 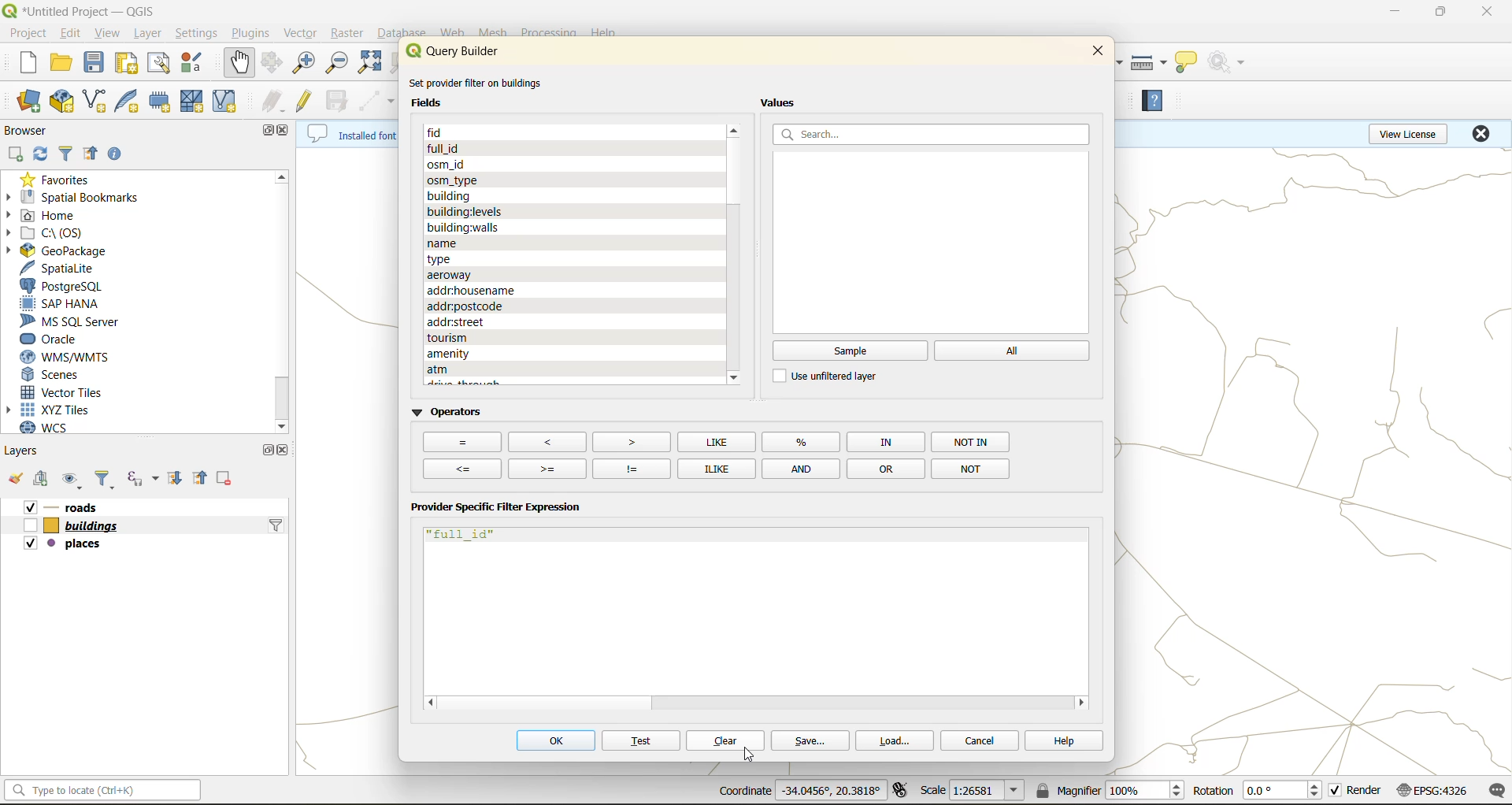 I want to click on opertators, so click(x=973, y=442).